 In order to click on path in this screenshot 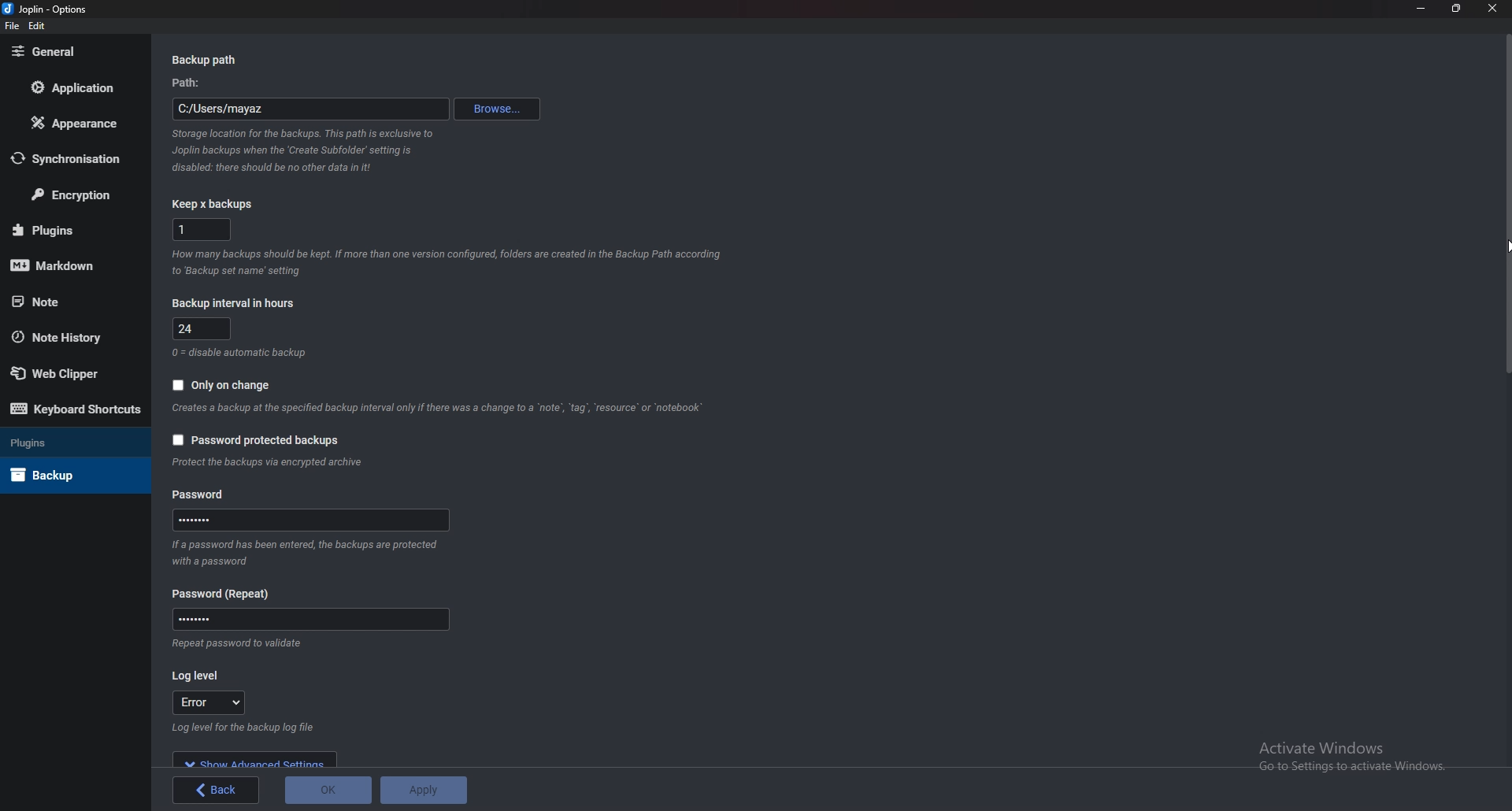, I will do `click(309, 111)`.